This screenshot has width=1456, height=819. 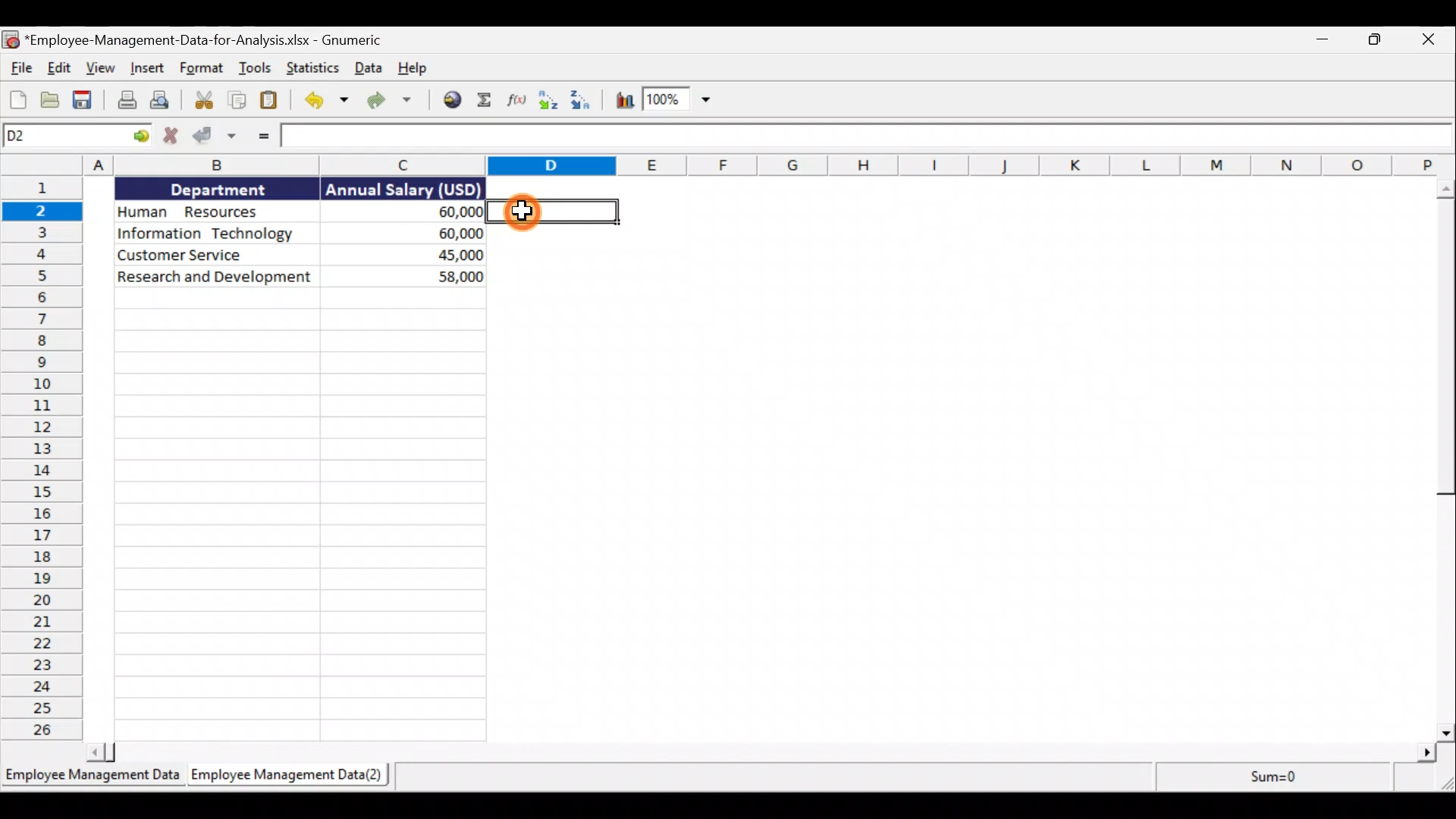 I want to click on Maximise, so click(x=1369, y=45).